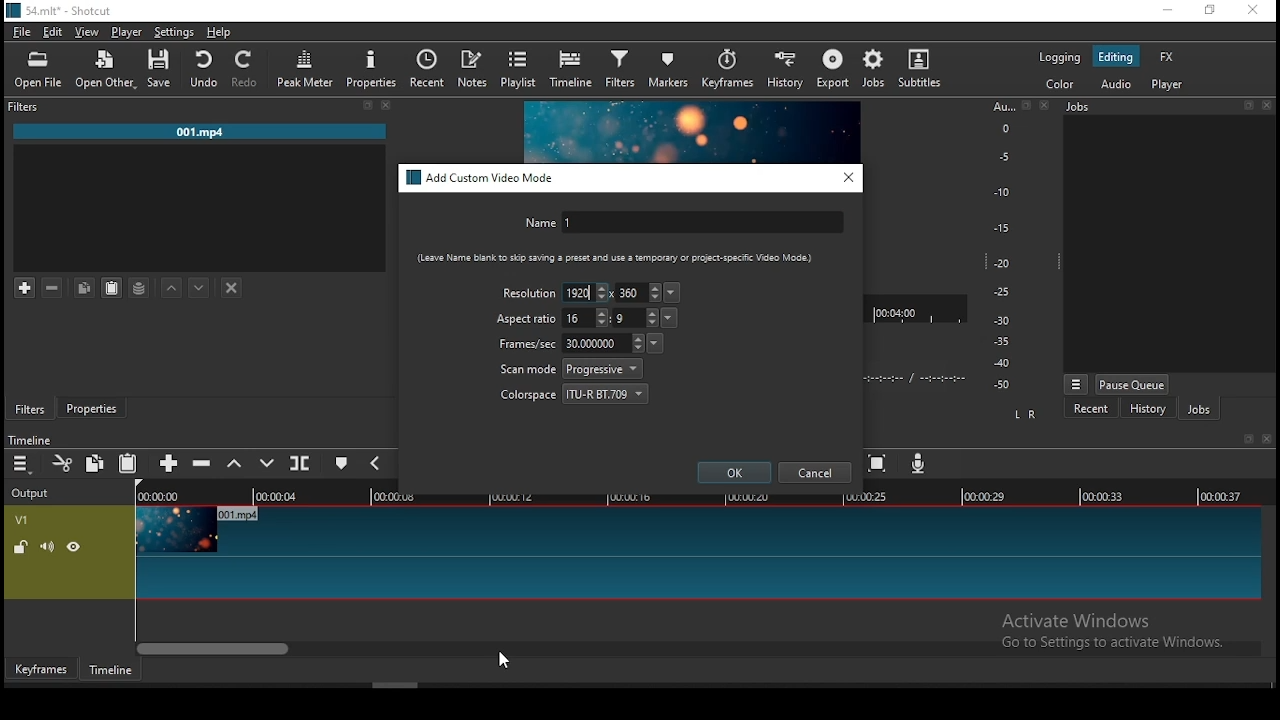  Describe the element at coordinates (635, 317) in the screenshot. I see `height` at that location.